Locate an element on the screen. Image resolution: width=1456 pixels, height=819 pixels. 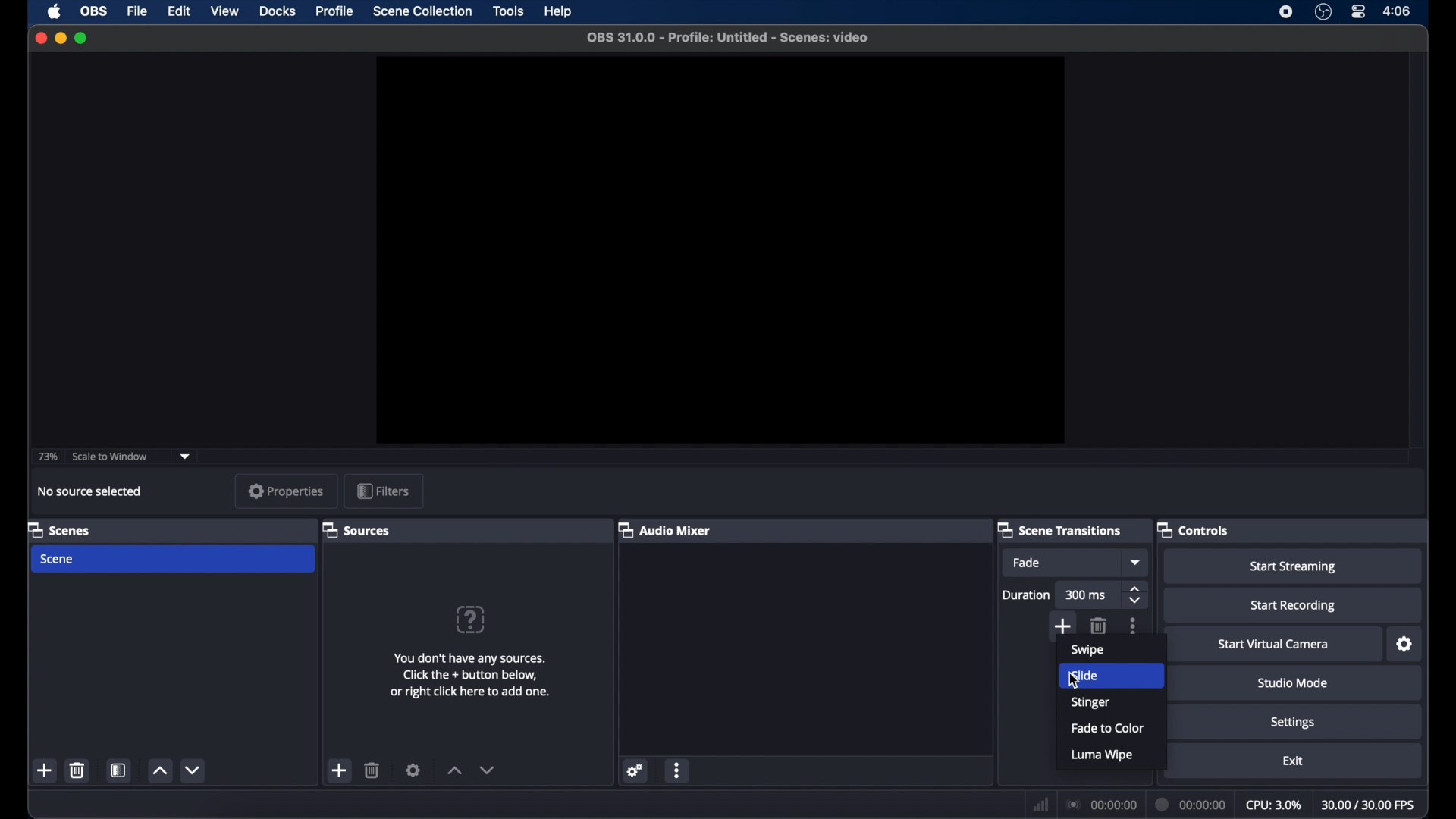
screen recorder icon is located at coordinates (1285, 11).